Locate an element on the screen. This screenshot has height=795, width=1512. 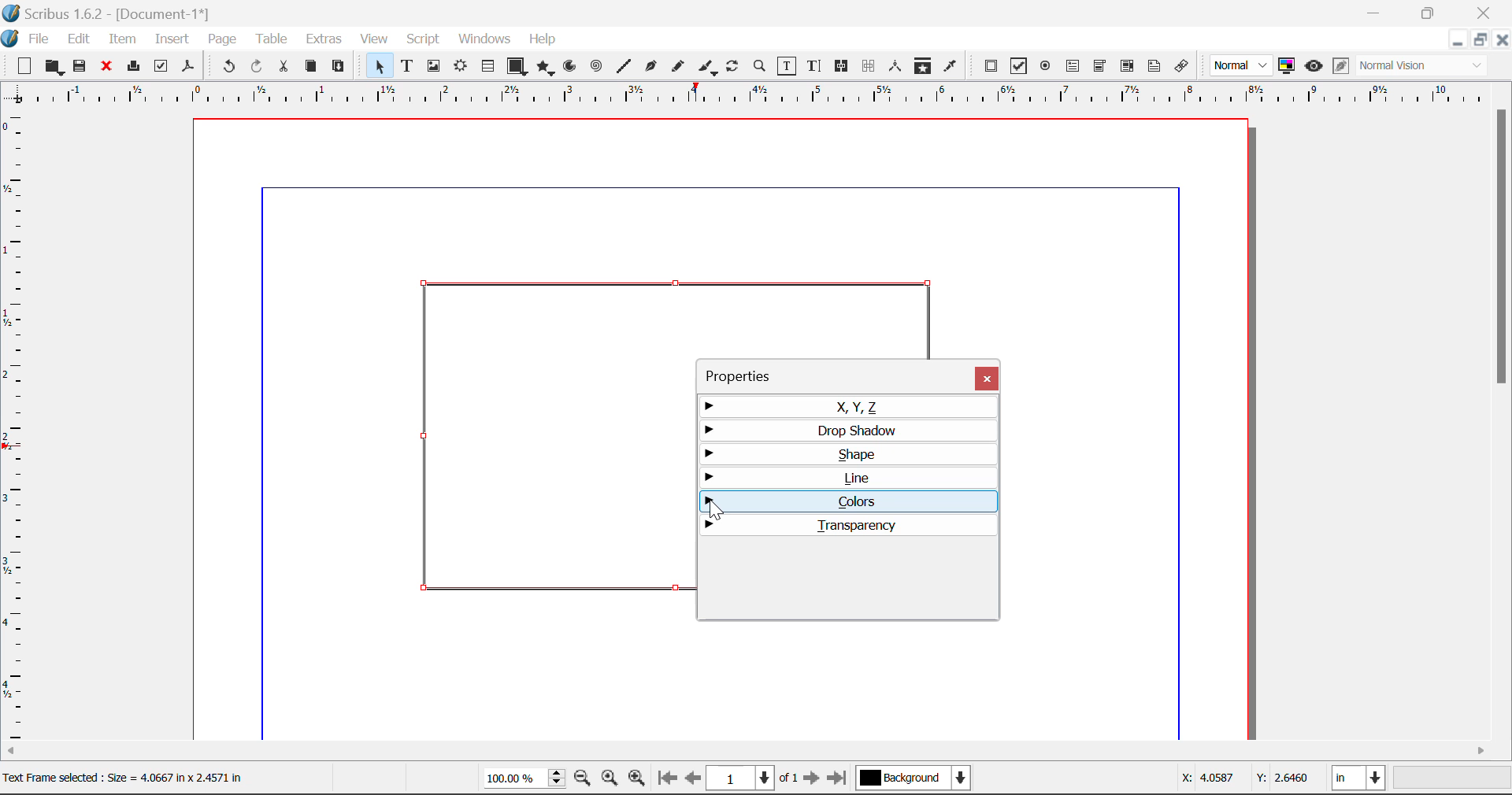
Colors is located at coordinates (845, 503).